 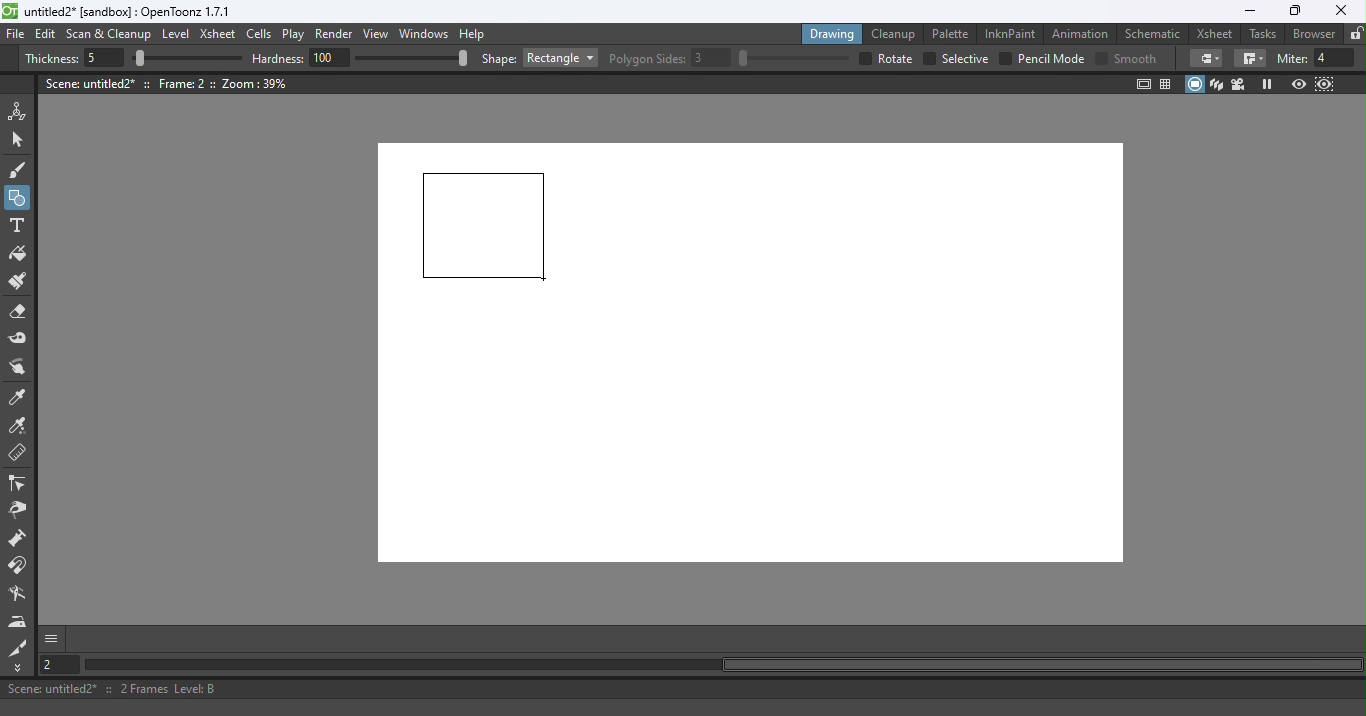 I want to click on View, so click(x=379, y=36).